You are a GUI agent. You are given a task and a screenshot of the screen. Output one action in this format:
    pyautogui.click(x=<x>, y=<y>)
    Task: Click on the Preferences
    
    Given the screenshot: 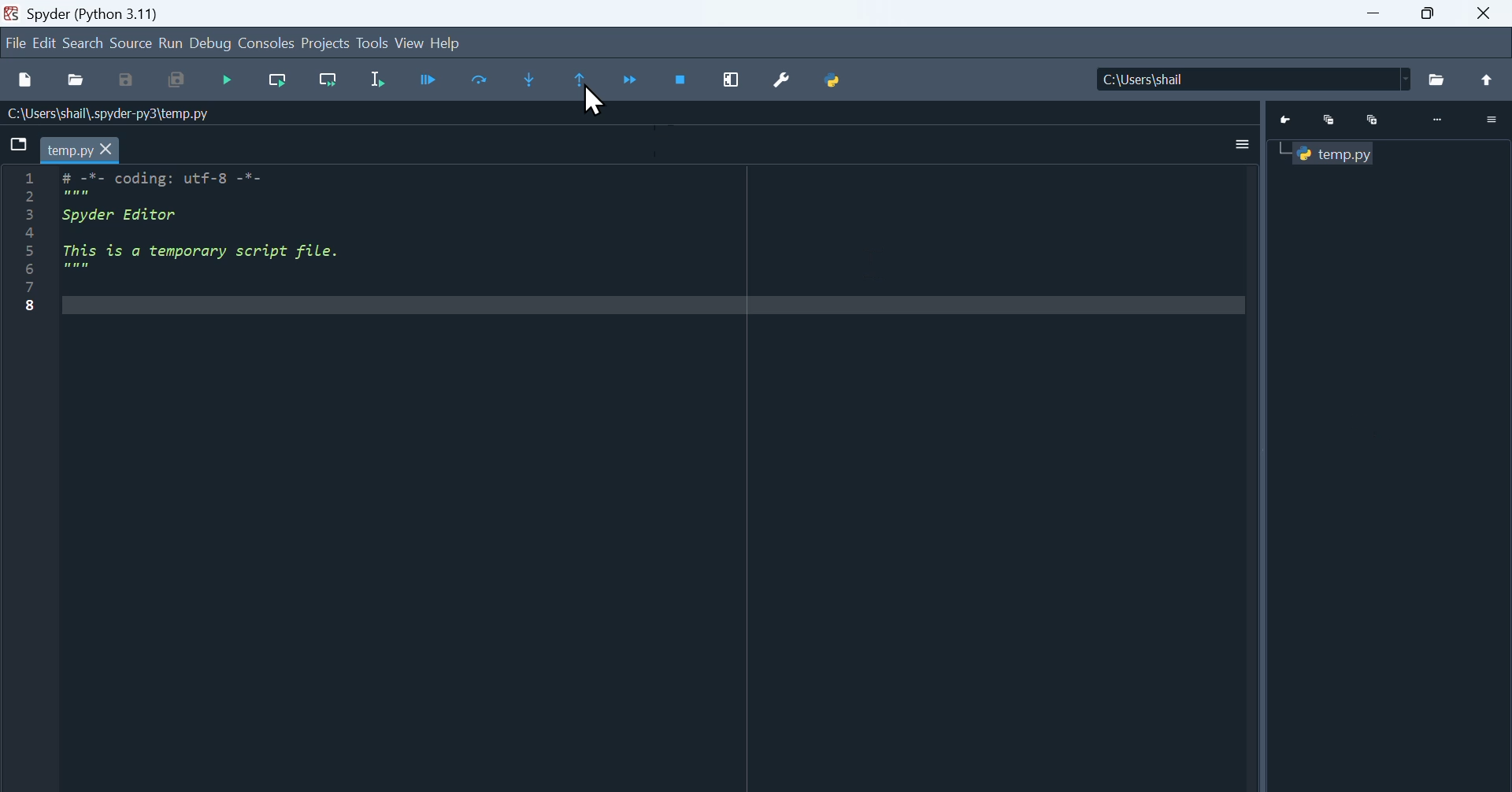 What is the action you would take?
    pyautogui.click(x=783, y=80)
    